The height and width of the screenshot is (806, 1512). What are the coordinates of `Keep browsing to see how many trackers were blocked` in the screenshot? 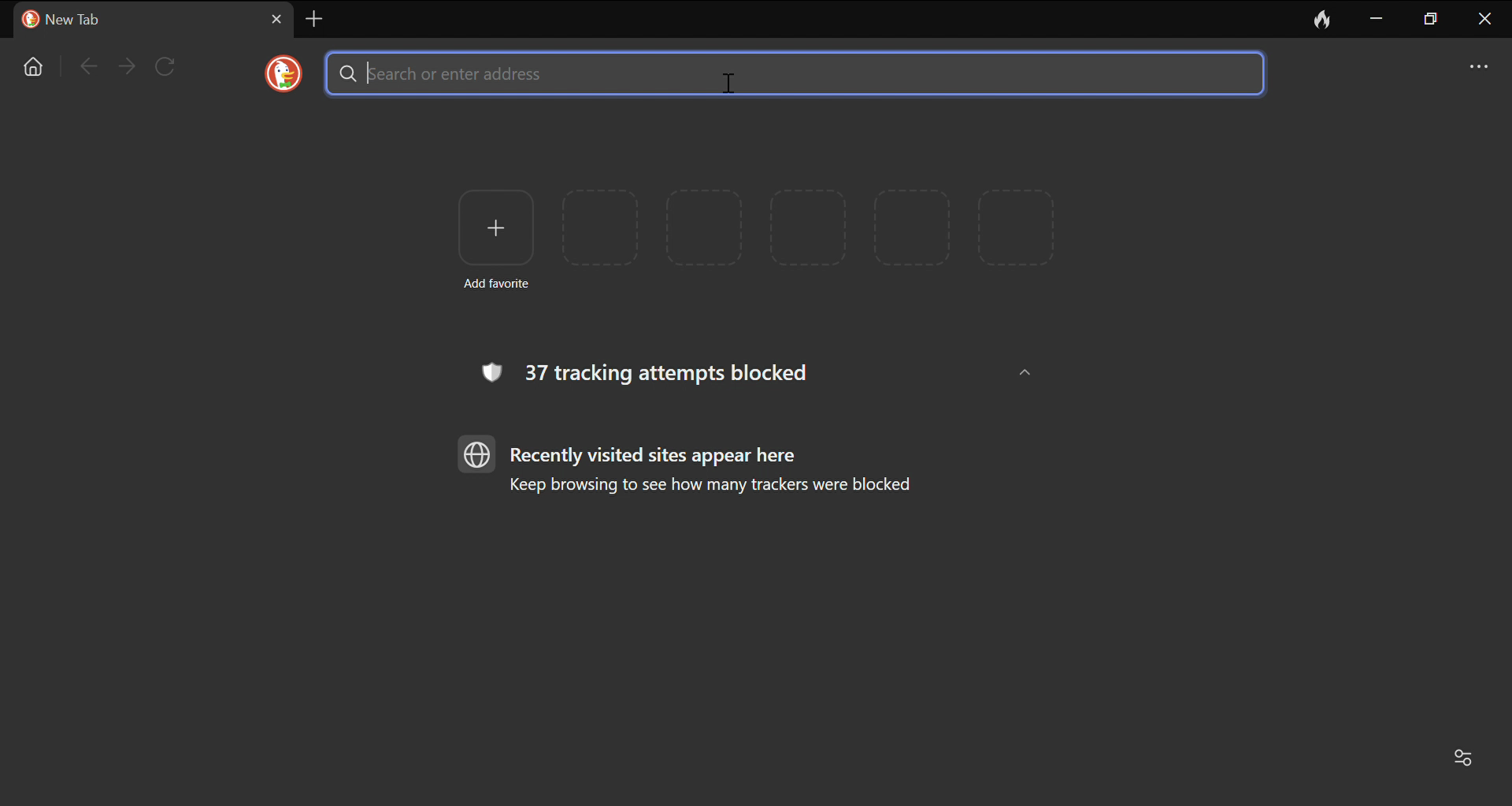 It's located at (719, 487).